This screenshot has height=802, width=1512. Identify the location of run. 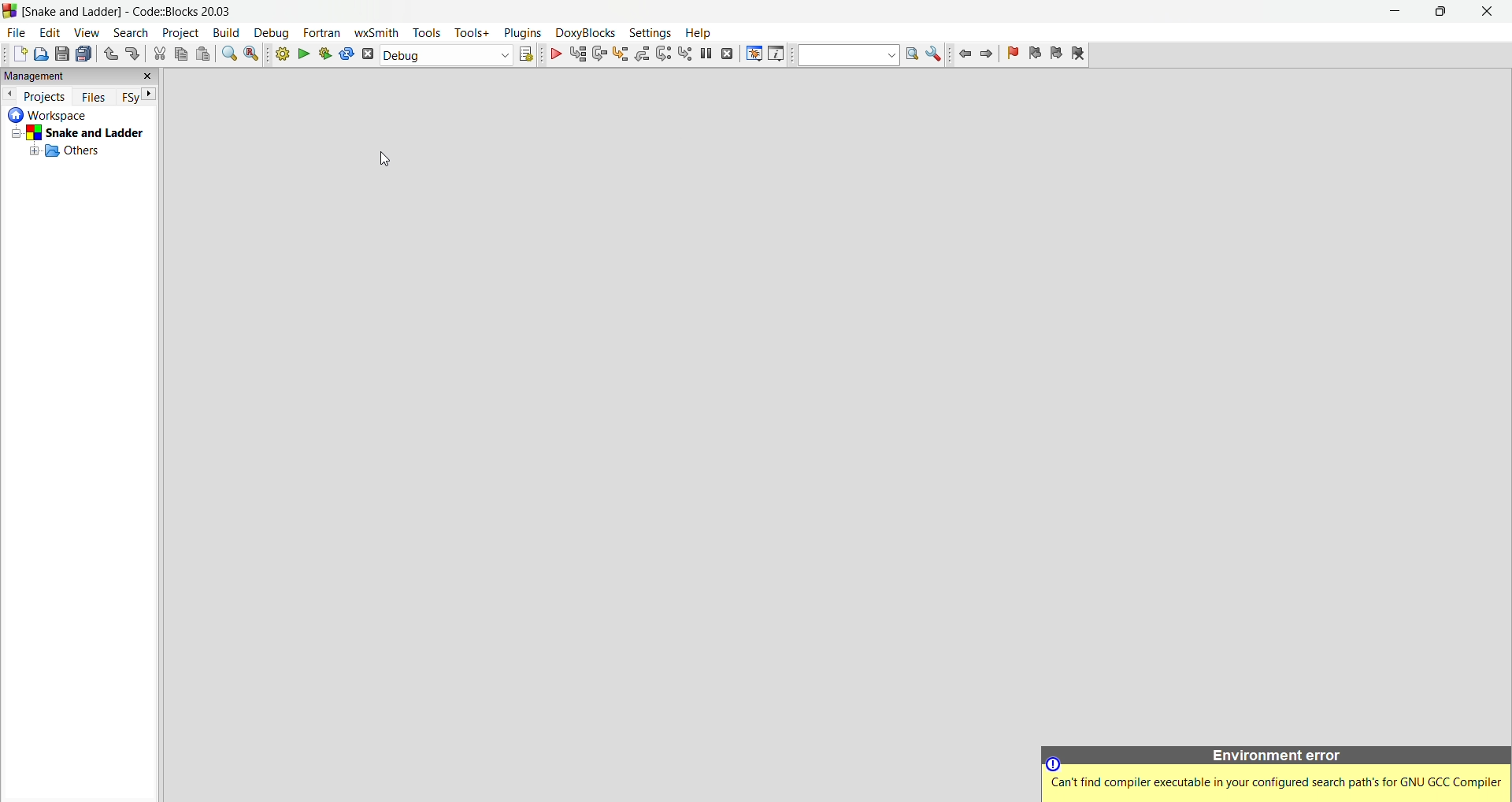
(305, 55).